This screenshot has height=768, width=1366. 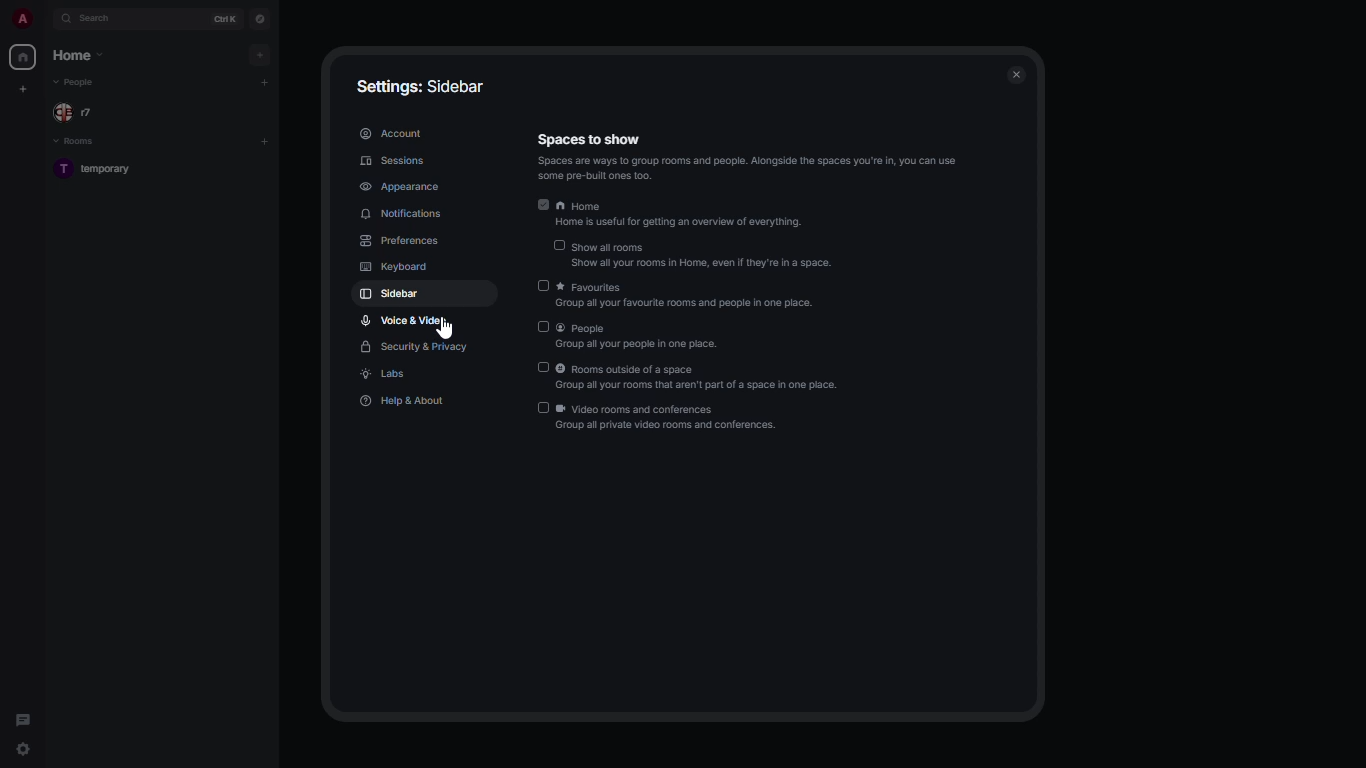 What do you see at coordinates (23, 750) in the screenshot?
I see `quick settings` at bounding box center [23, 750].